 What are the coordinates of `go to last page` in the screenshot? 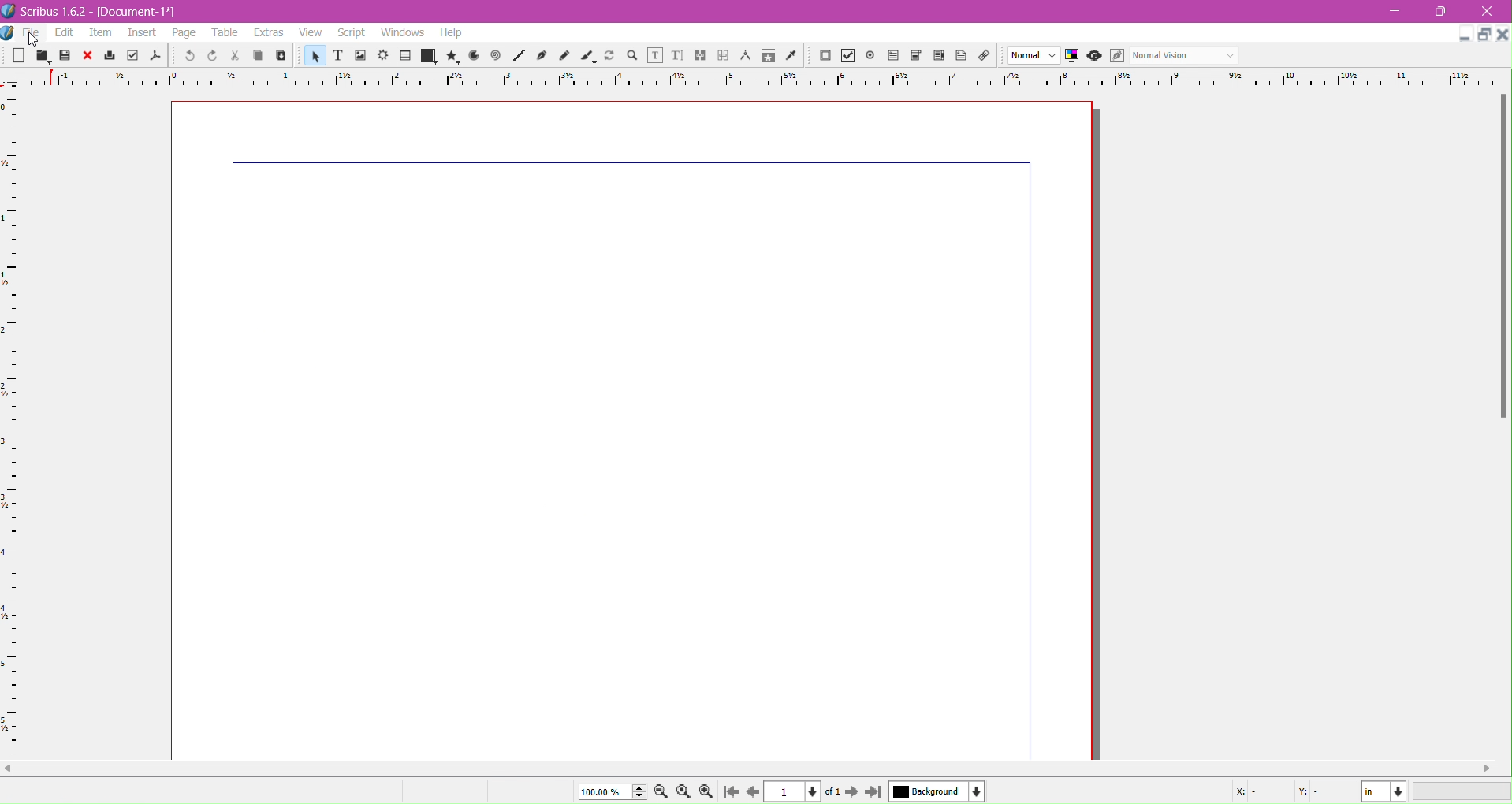 It's located at (873, 793).